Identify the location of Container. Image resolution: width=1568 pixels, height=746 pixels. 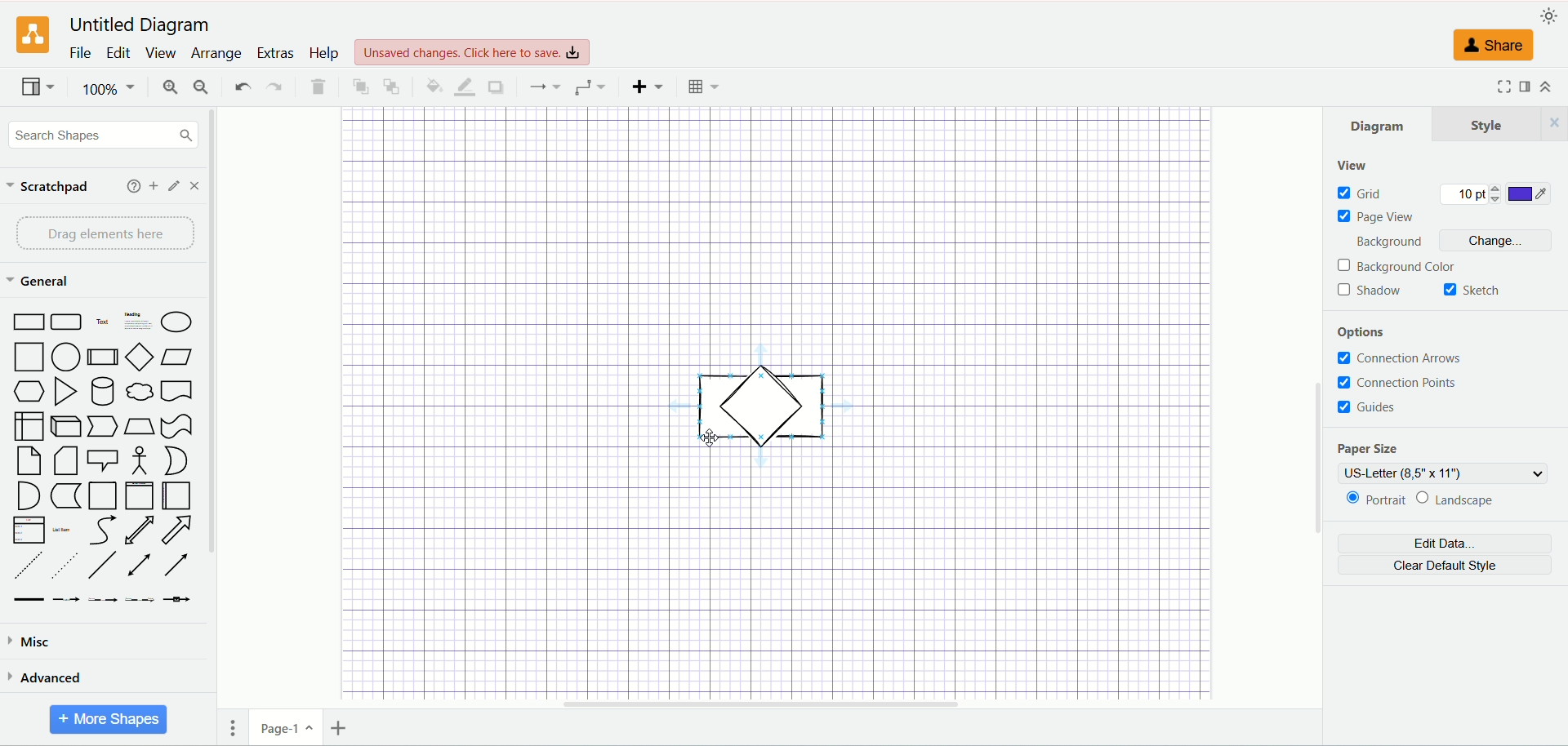
(103, 495).